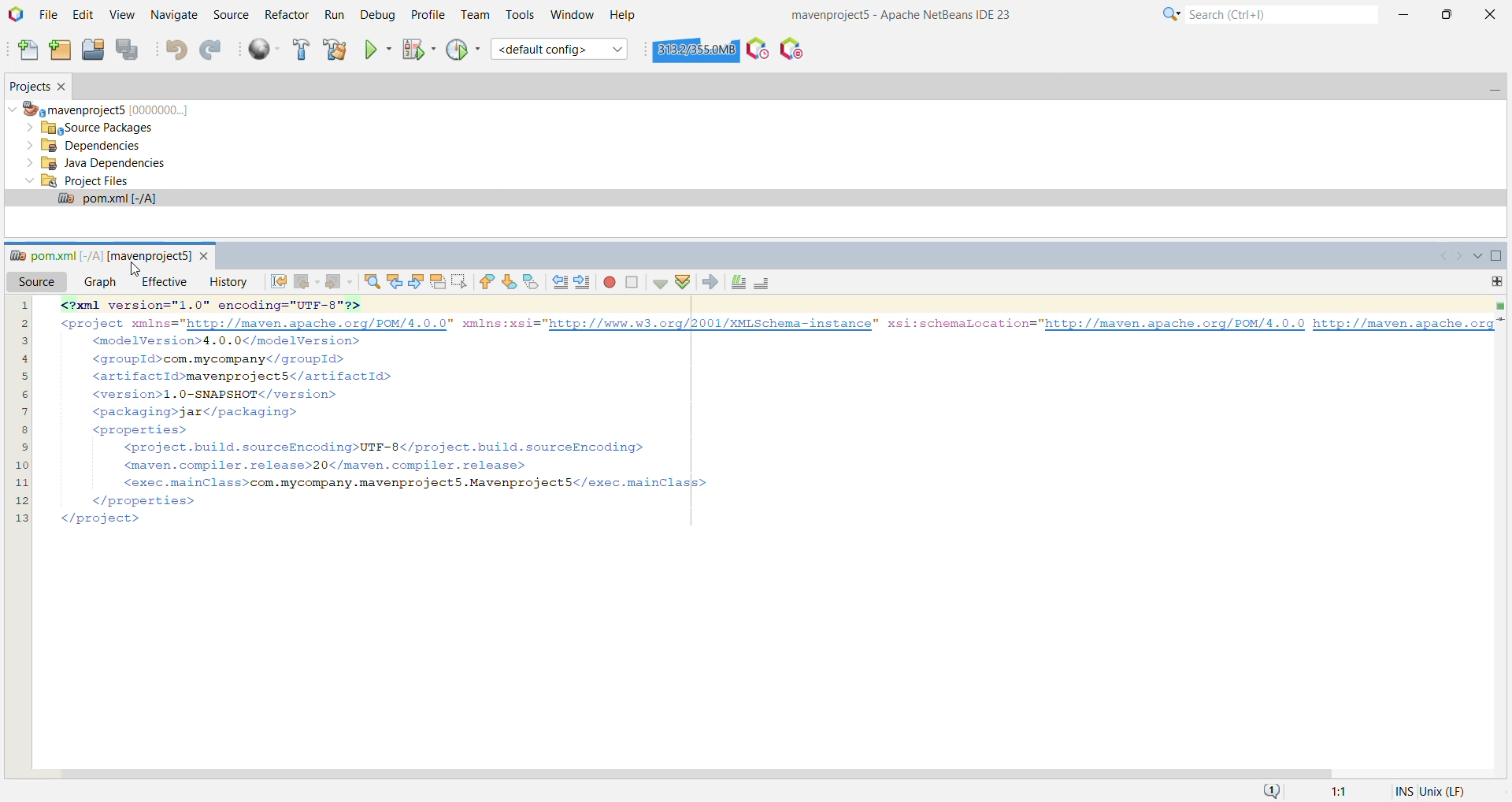 This screenshot has height=802, width=1512. Describe the element at coordinates (22, 481) in the screenshot. I see `11` at that location.